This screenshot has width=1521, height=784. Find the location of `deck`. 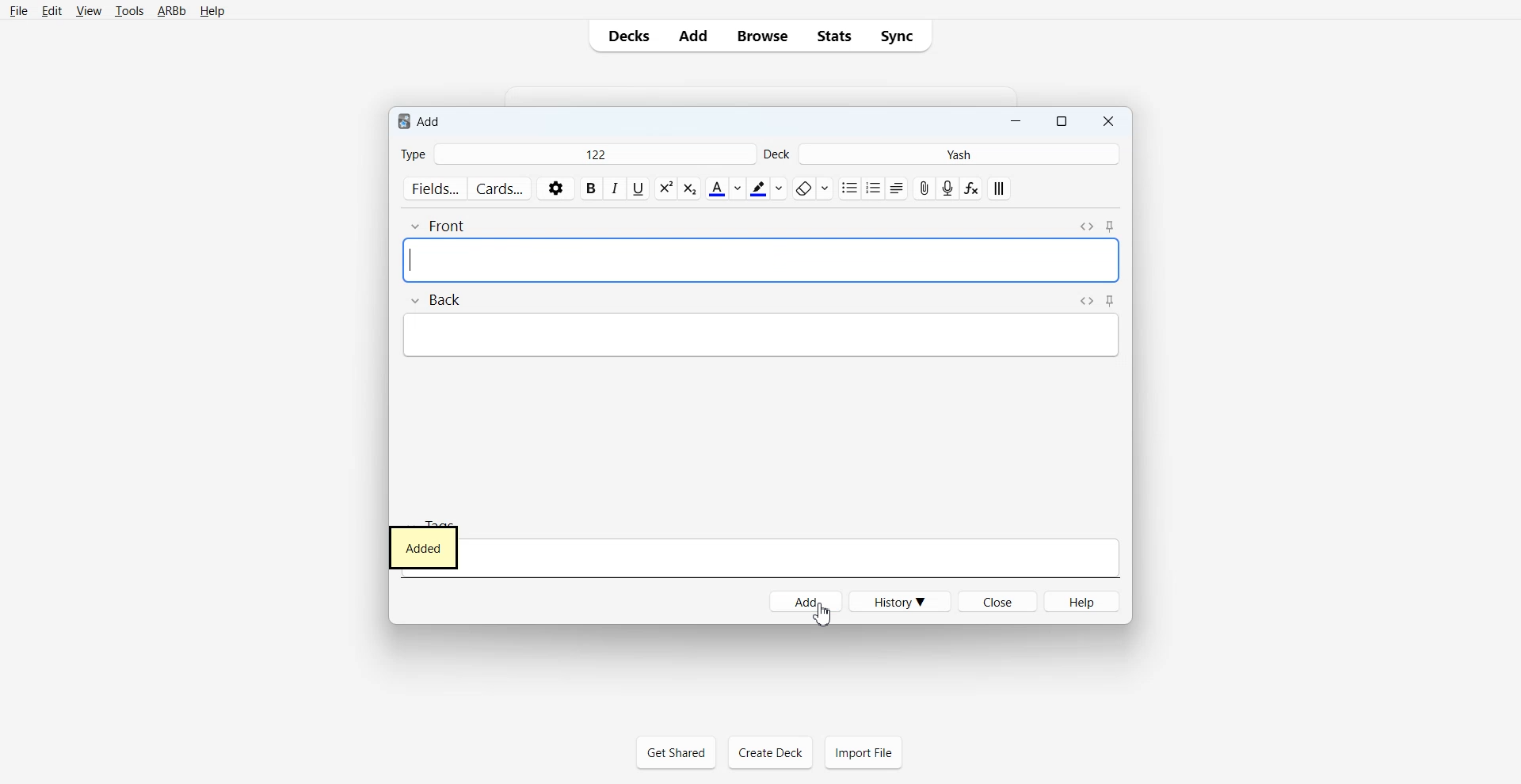

deck is located at coordinates (780, 152).